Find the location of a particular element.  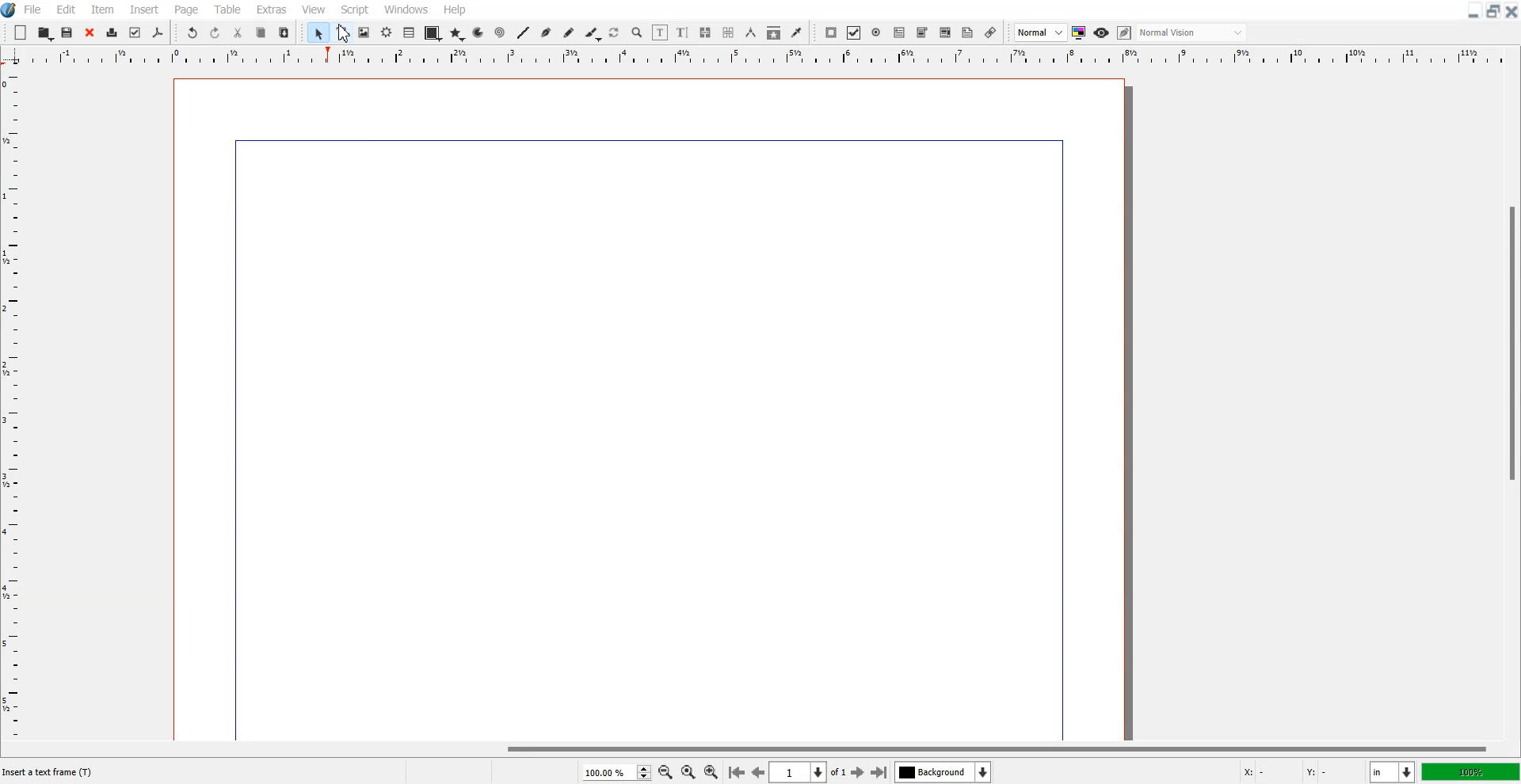

Edit content of frame is located at coordinates (660, 32).